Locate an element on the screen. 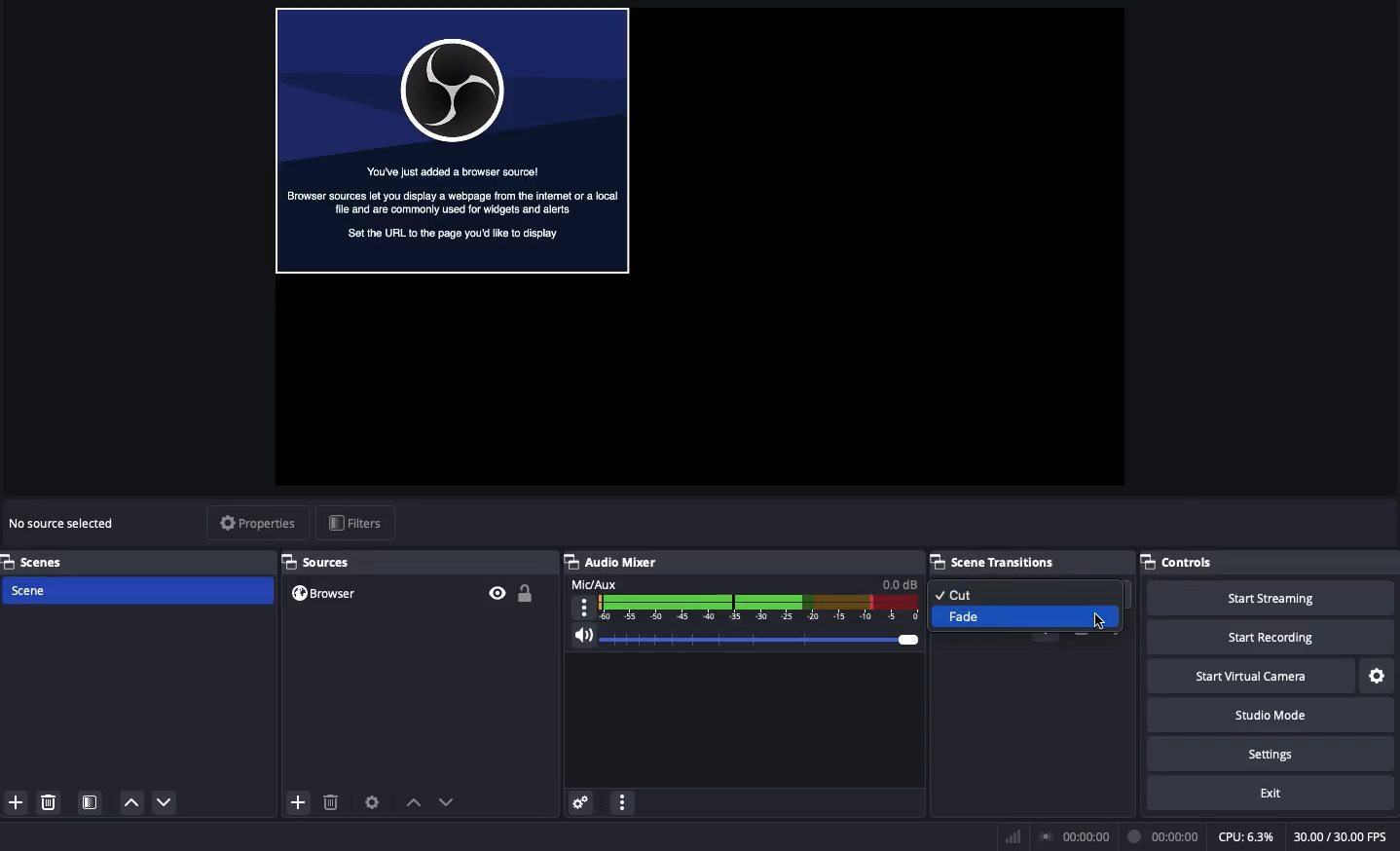 The height and width of the screenshot is (851, 1400). Browser is located at coordinates (452, 142).